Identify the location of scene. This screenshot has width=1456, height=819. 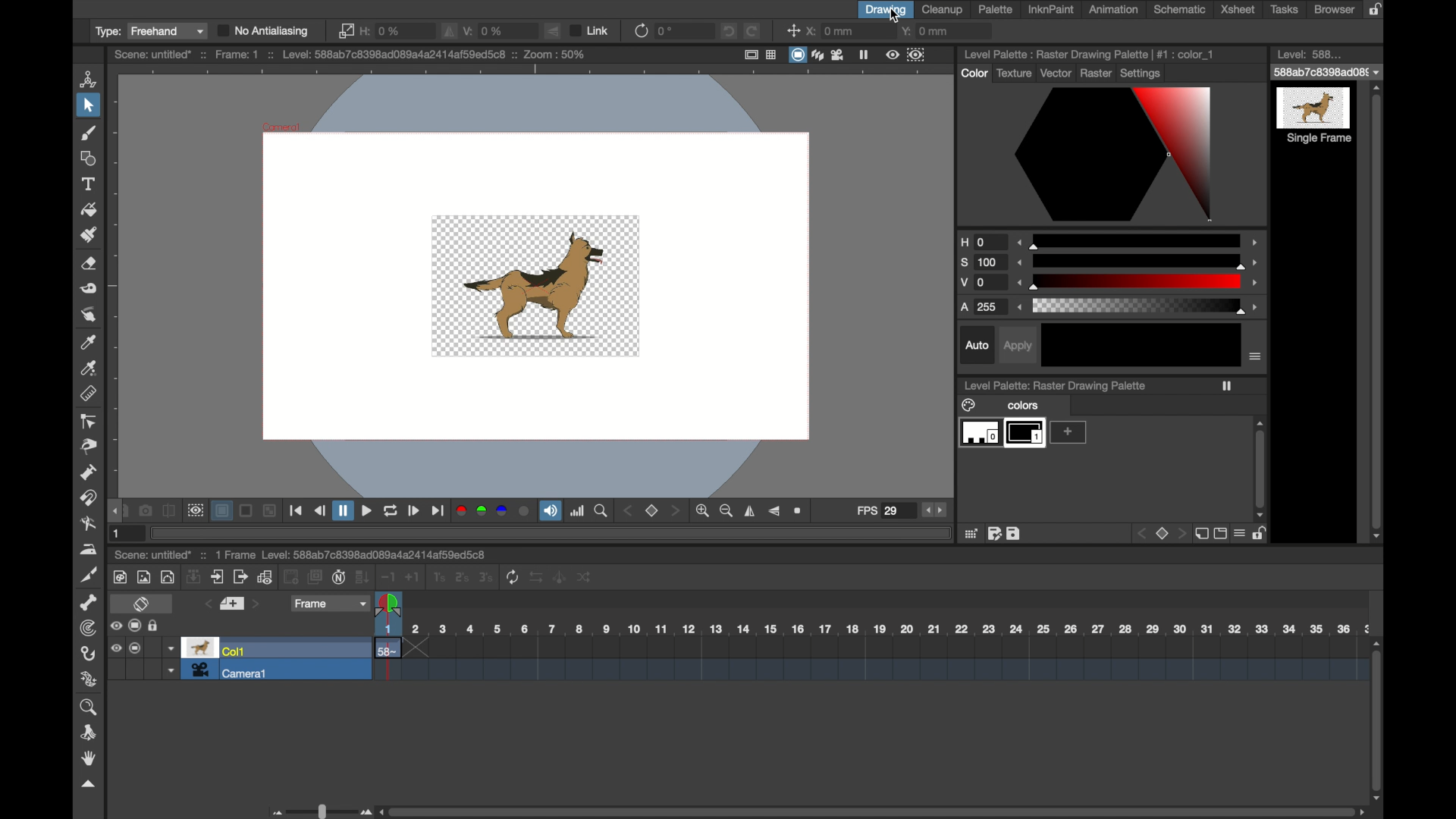
(883, 660).